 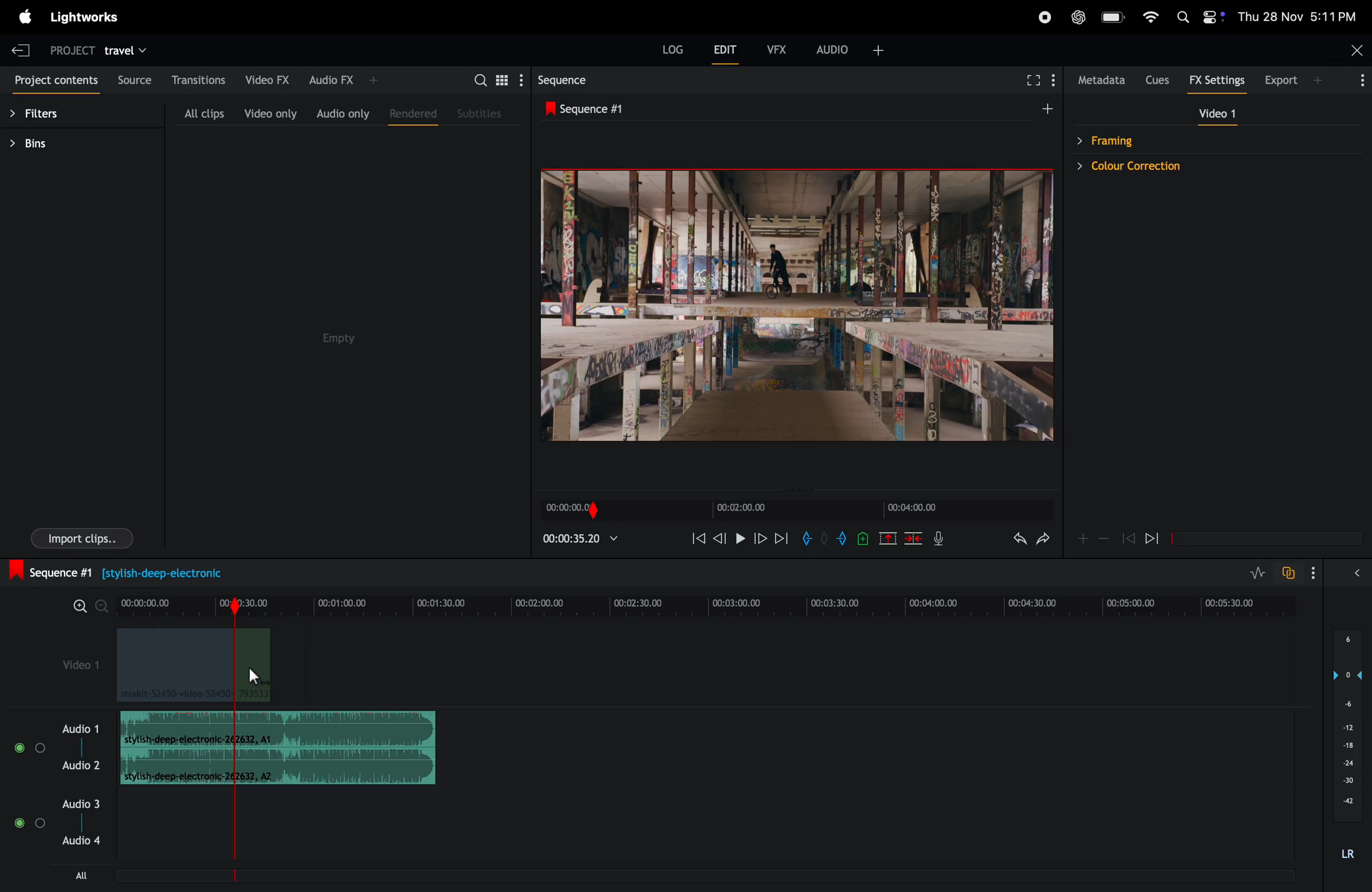 I want to click on playback time, so click(x=584, y=541).